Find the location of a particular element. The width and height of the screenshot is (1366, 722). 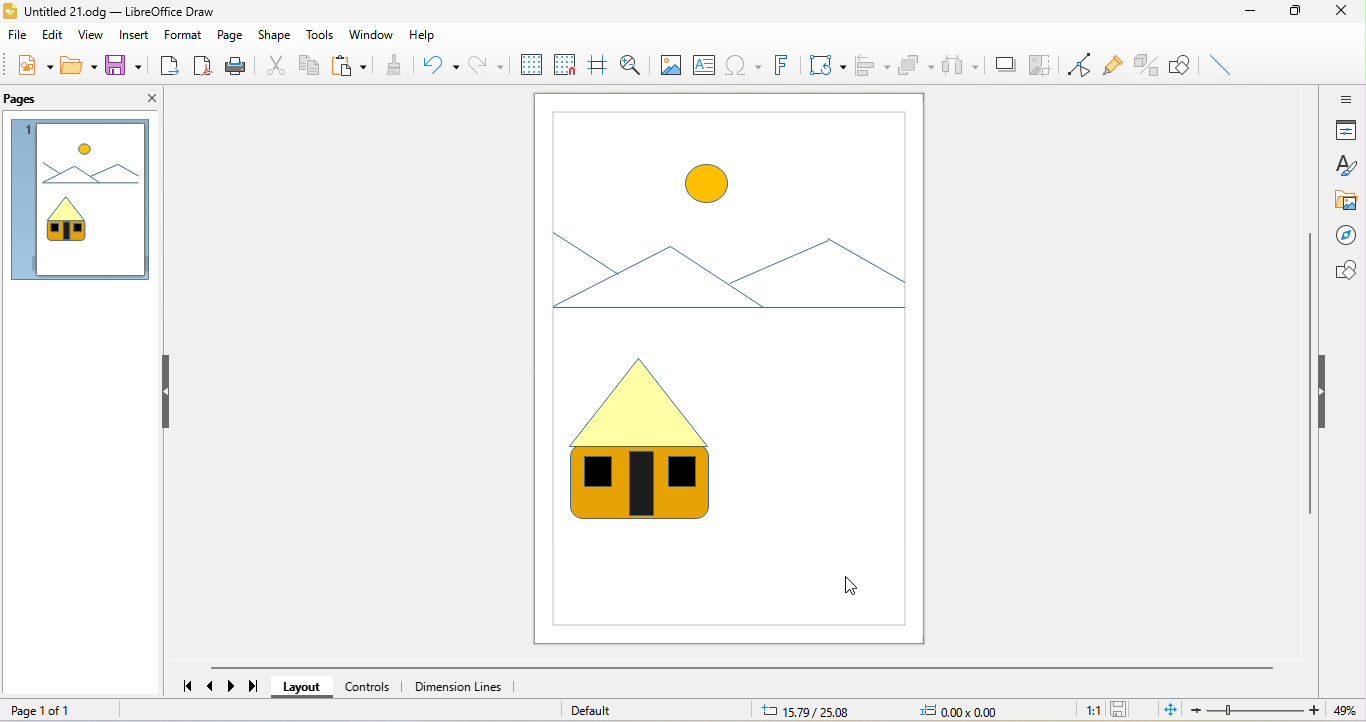

maximize is located at coordinates (1293, 15).